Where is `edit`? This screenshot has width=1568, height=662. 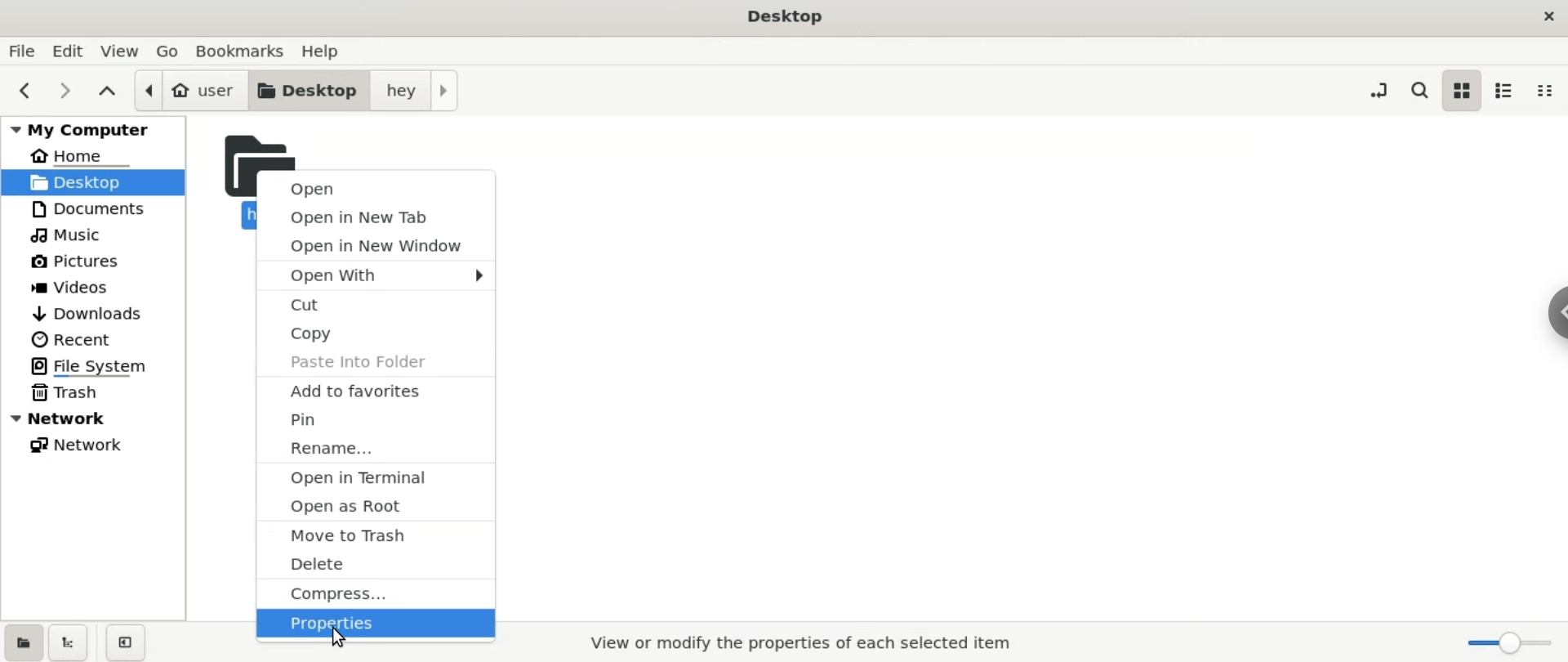
edit is located at coordinates (69, 50).